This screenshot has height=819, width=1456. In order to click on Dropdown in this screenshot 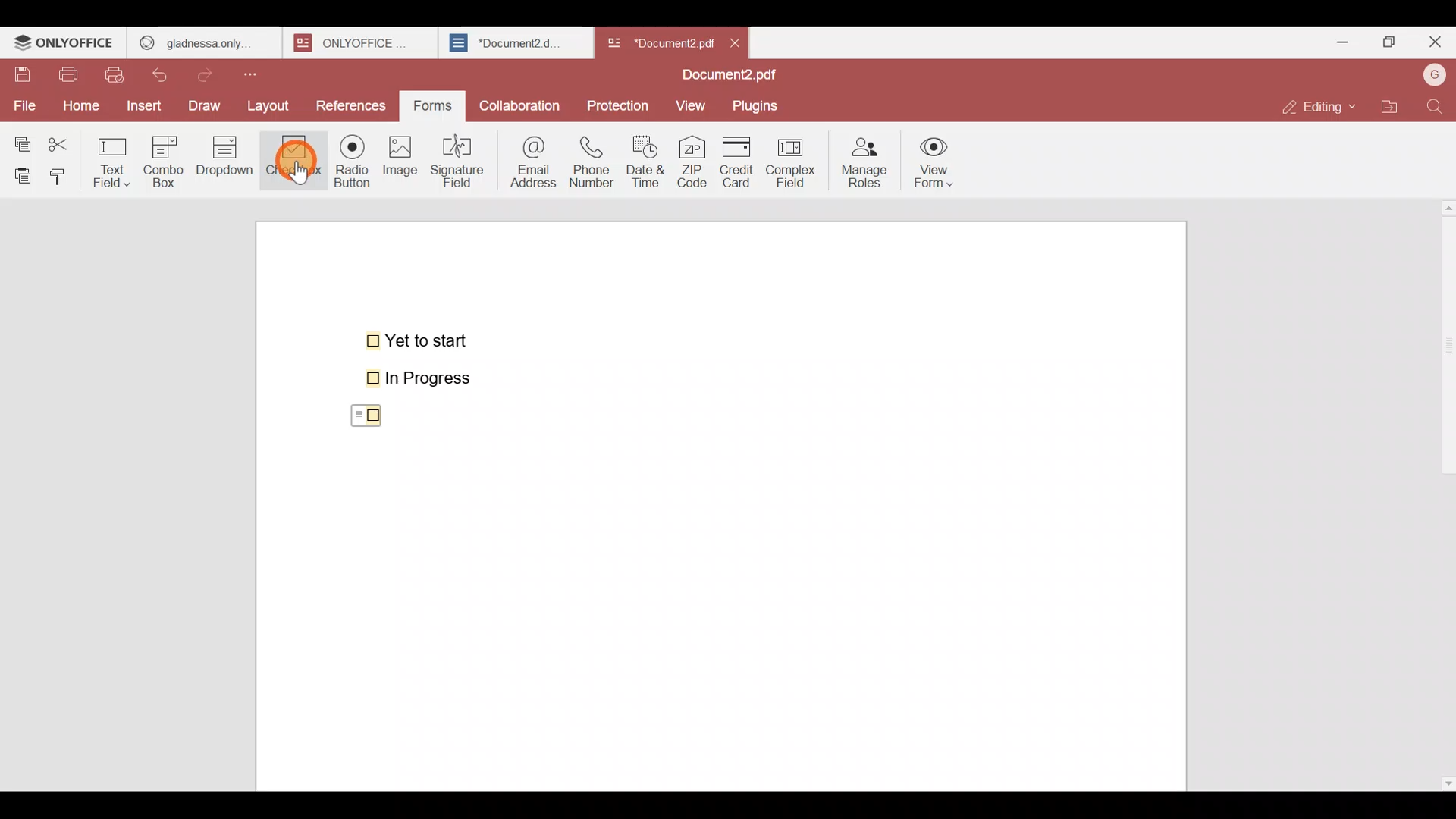, I will do `click(227, 162)`.